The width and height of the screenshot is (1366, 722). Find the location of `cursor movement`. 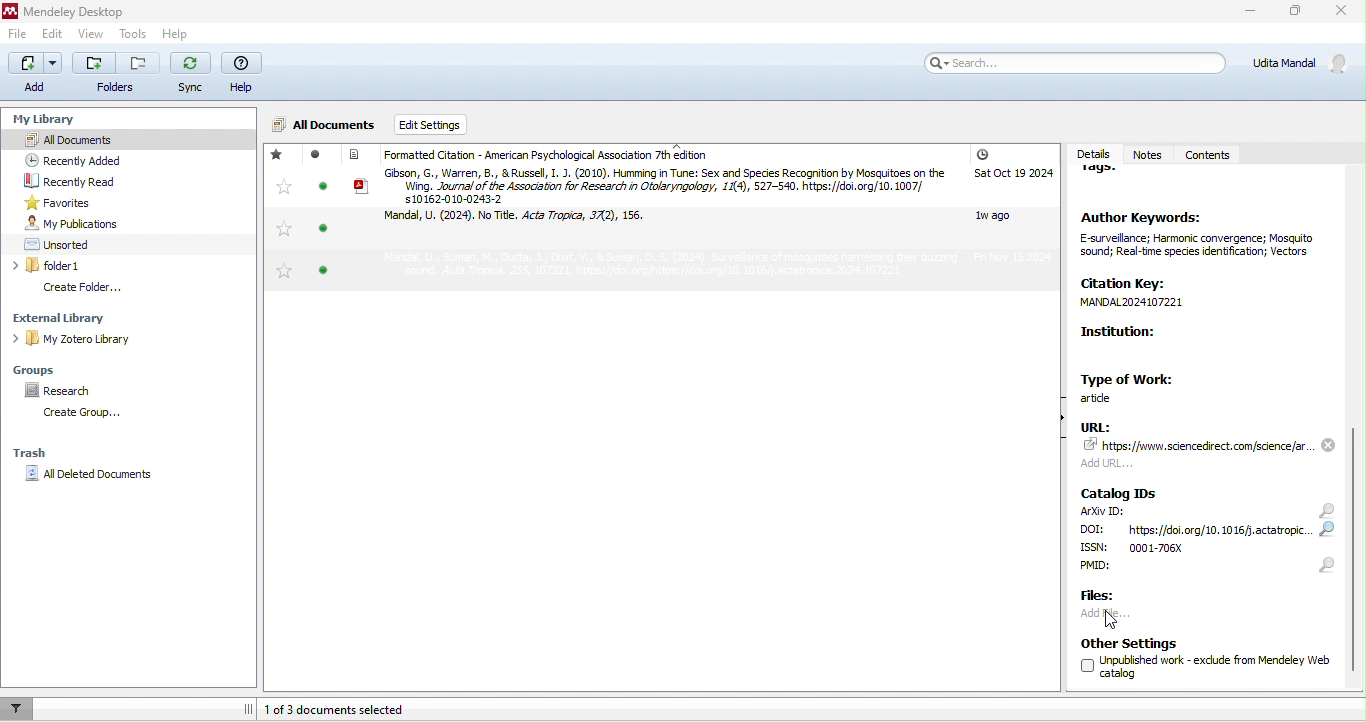

cursor movement is located at coordinates (1115, 618).